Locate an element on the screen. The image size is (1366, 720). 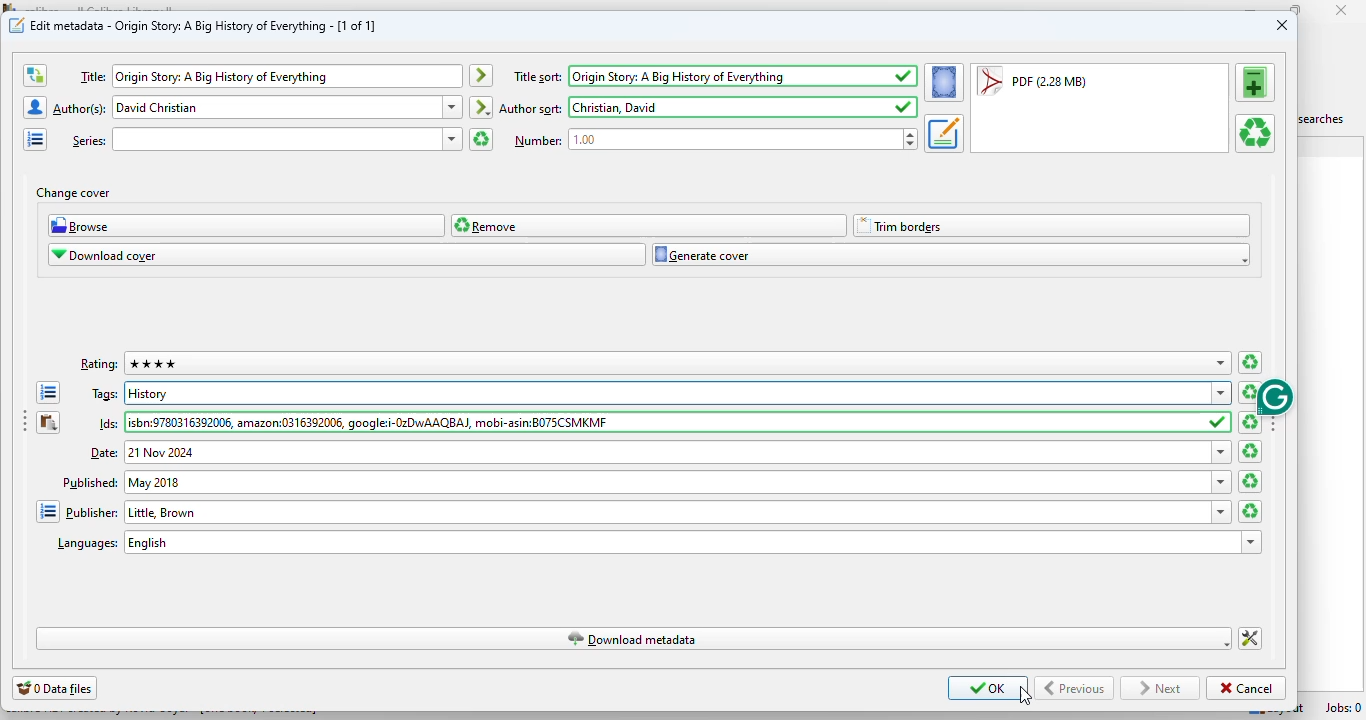
rating: 4 stars is located at coordinates (665, 363).